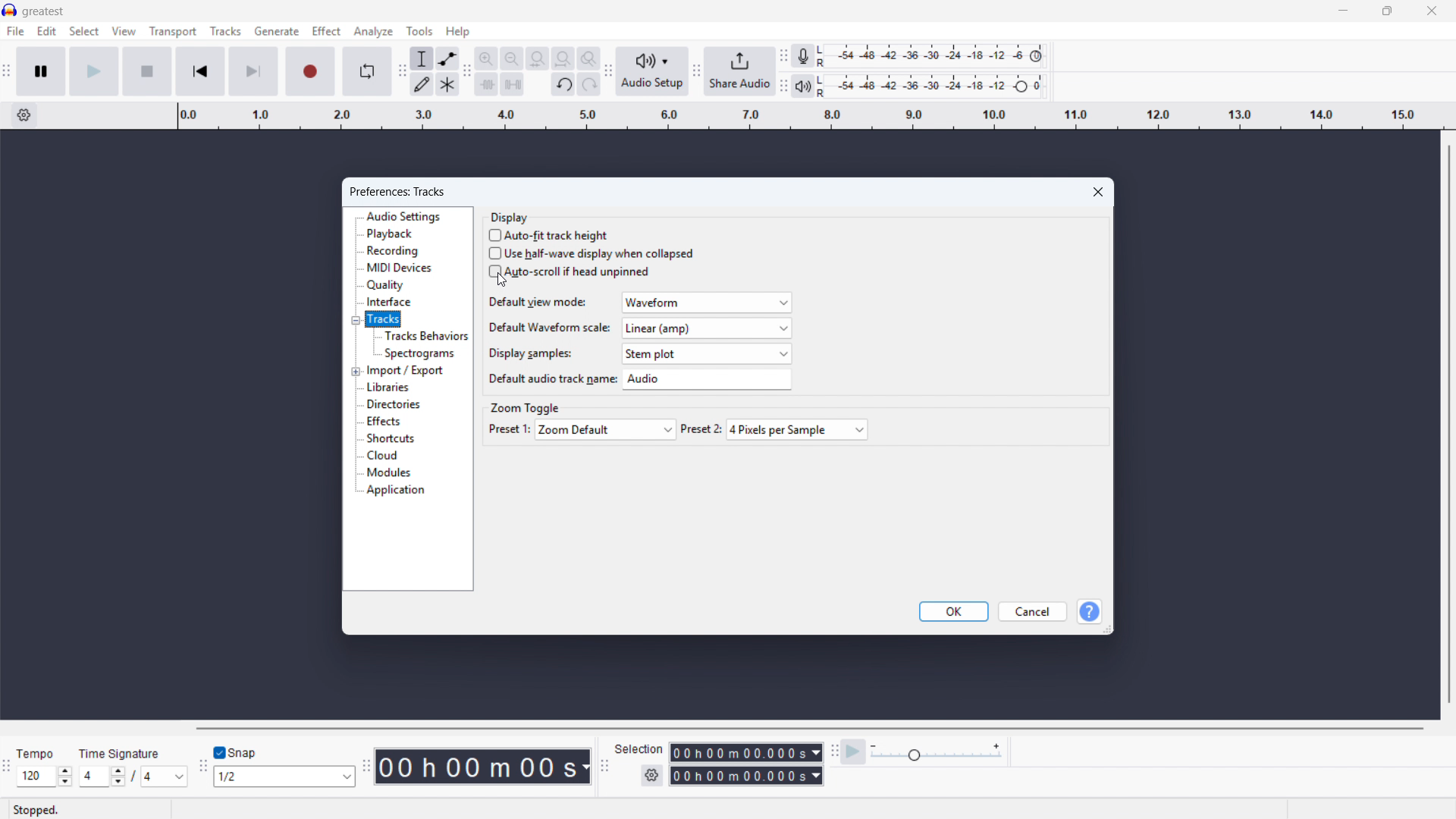  What do you see at coordinates (551, 235) in the screenshot?
I see `auto fit track height` at bounding box center [551, 235].